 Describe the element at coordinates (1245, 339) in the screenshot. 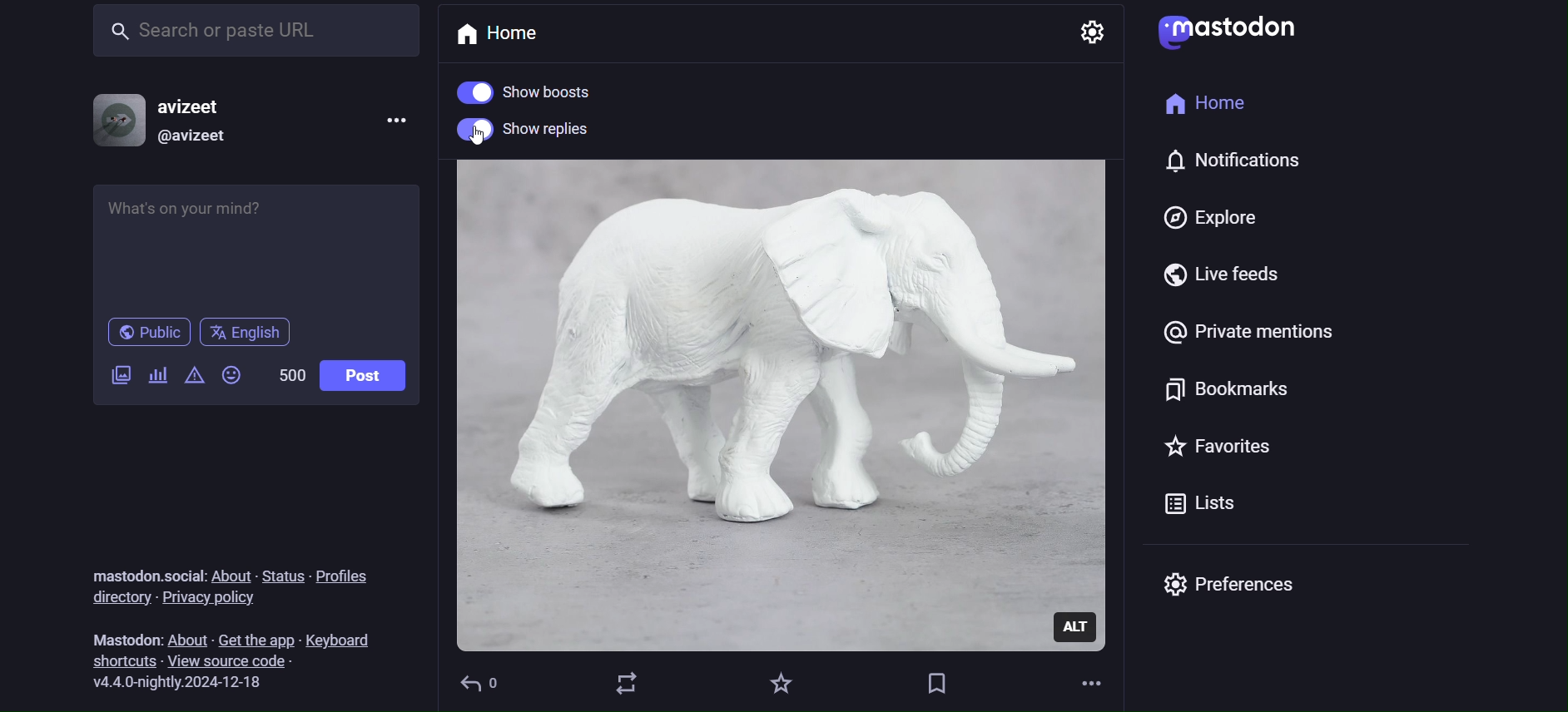

I see `private mentions` at that location.